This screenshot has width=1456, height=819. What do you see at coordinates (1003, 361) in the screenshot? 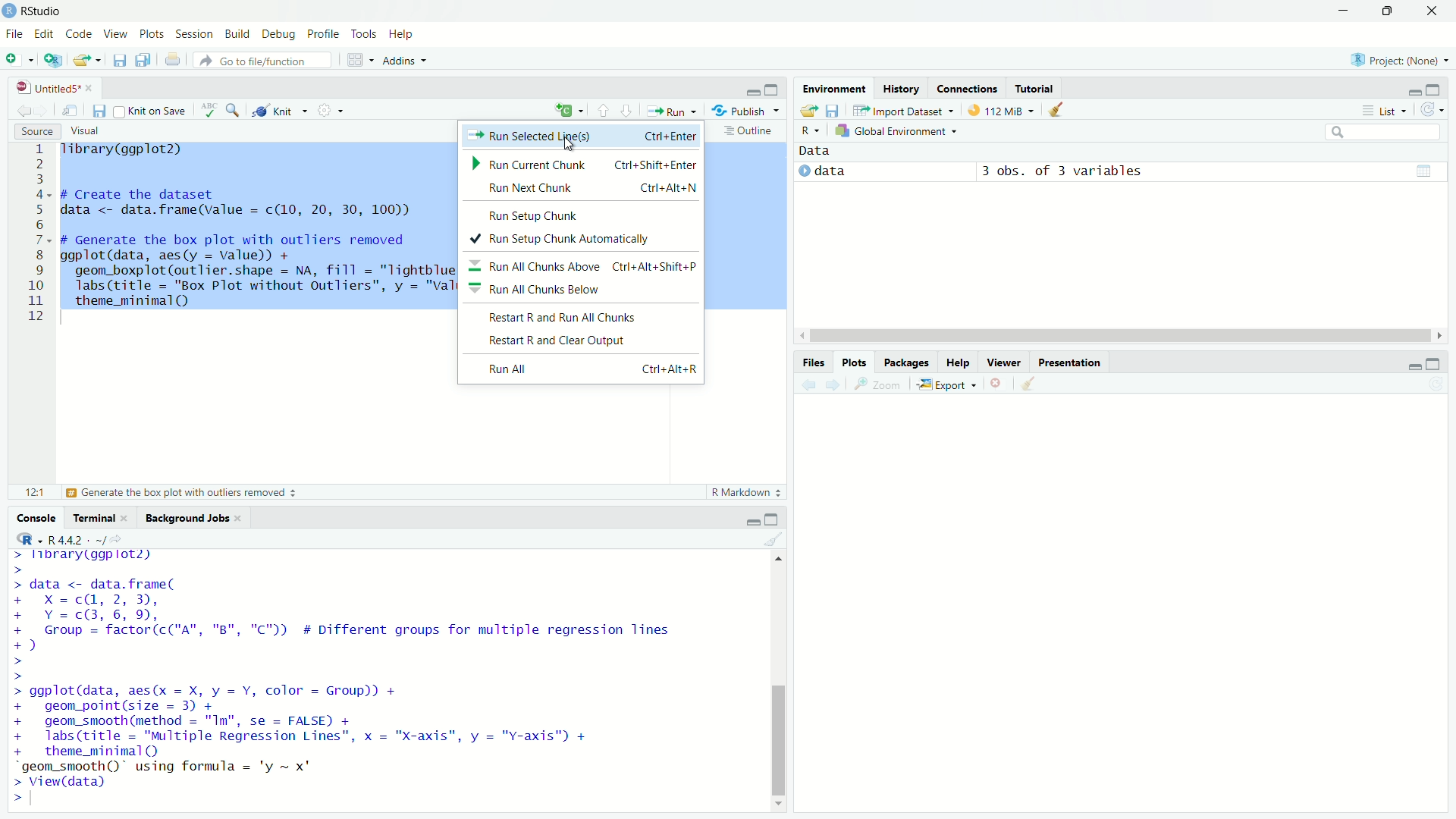
I see `Viewer` at bounding box center [1003, 361].